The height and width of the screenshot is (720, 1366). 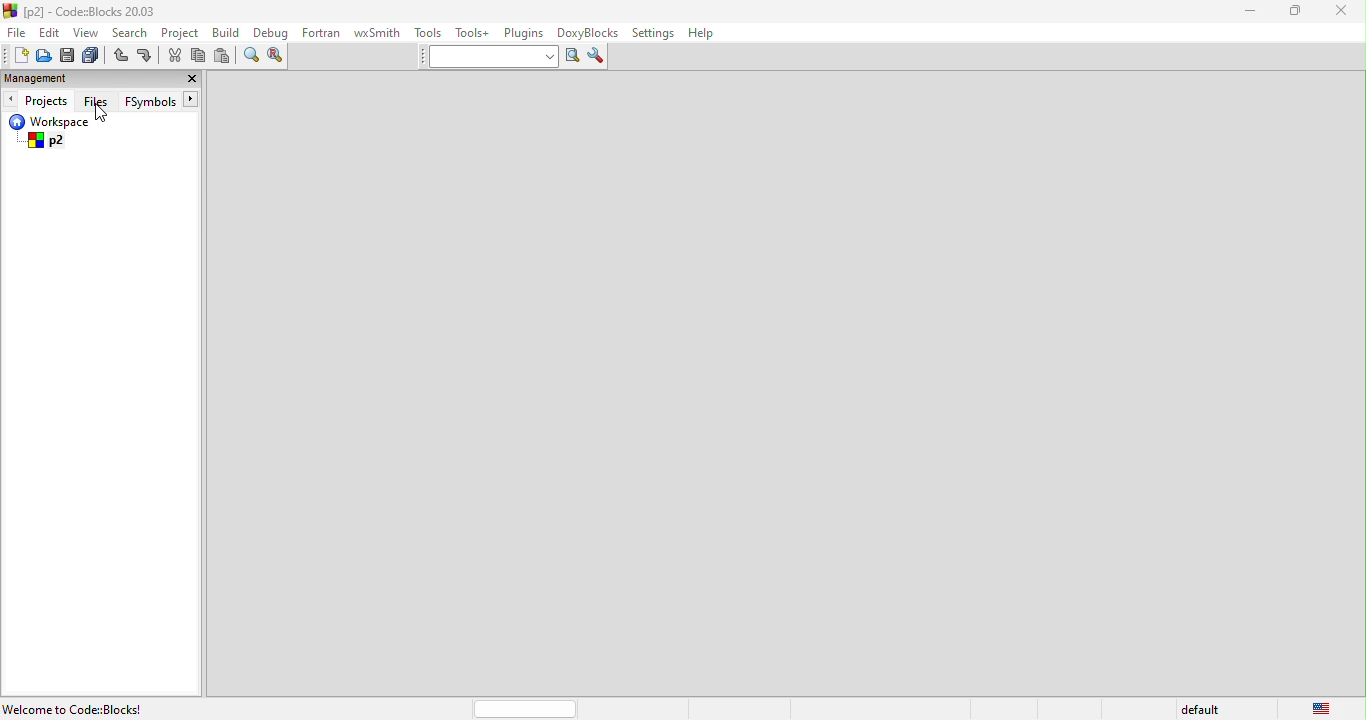 What do you see at coordinates (712, 33) in the screenshot?
I see `help` at bounding box center [712, 33].